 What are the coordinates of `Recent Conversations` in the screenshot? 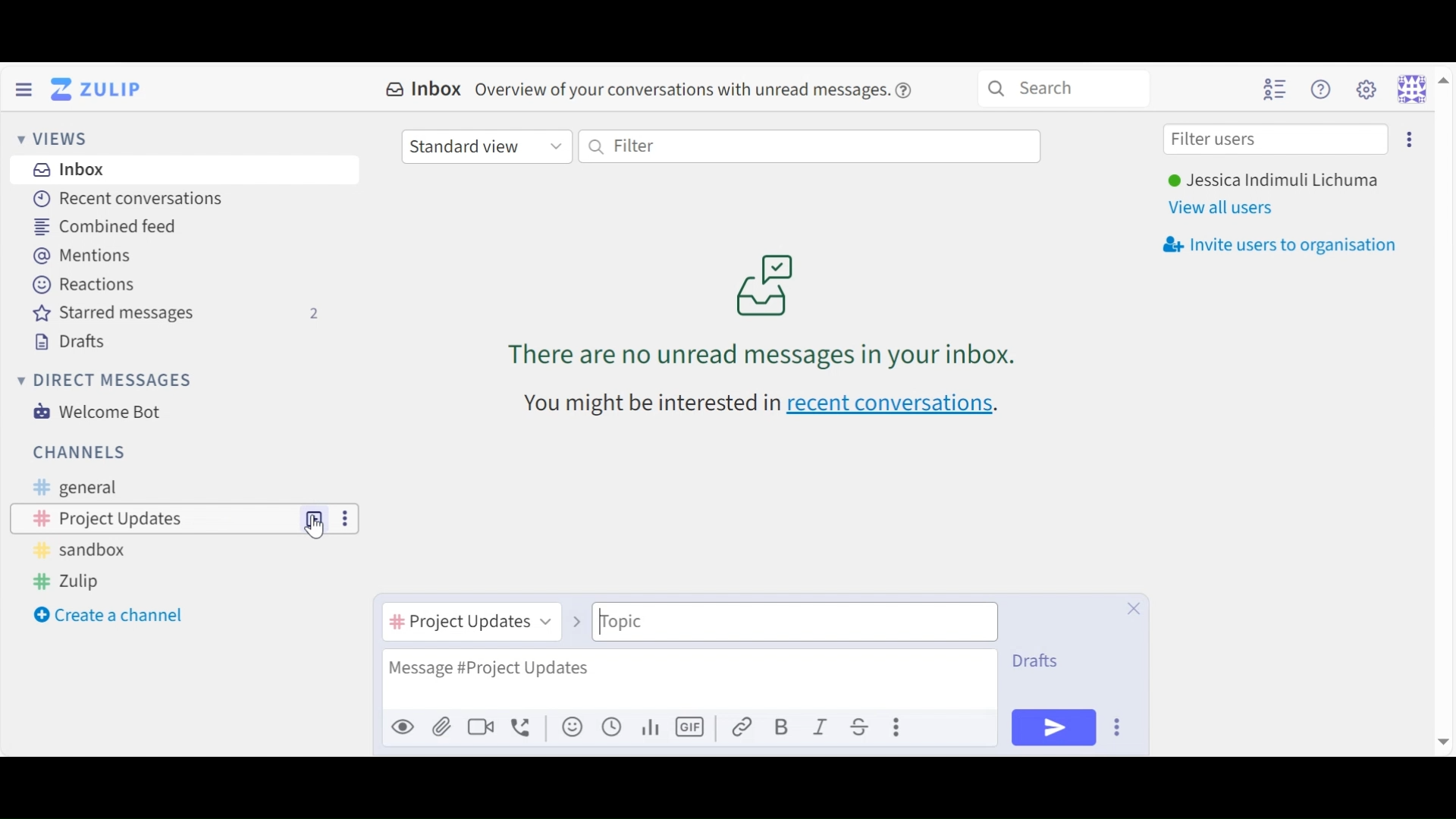 It's located at (130, 199).